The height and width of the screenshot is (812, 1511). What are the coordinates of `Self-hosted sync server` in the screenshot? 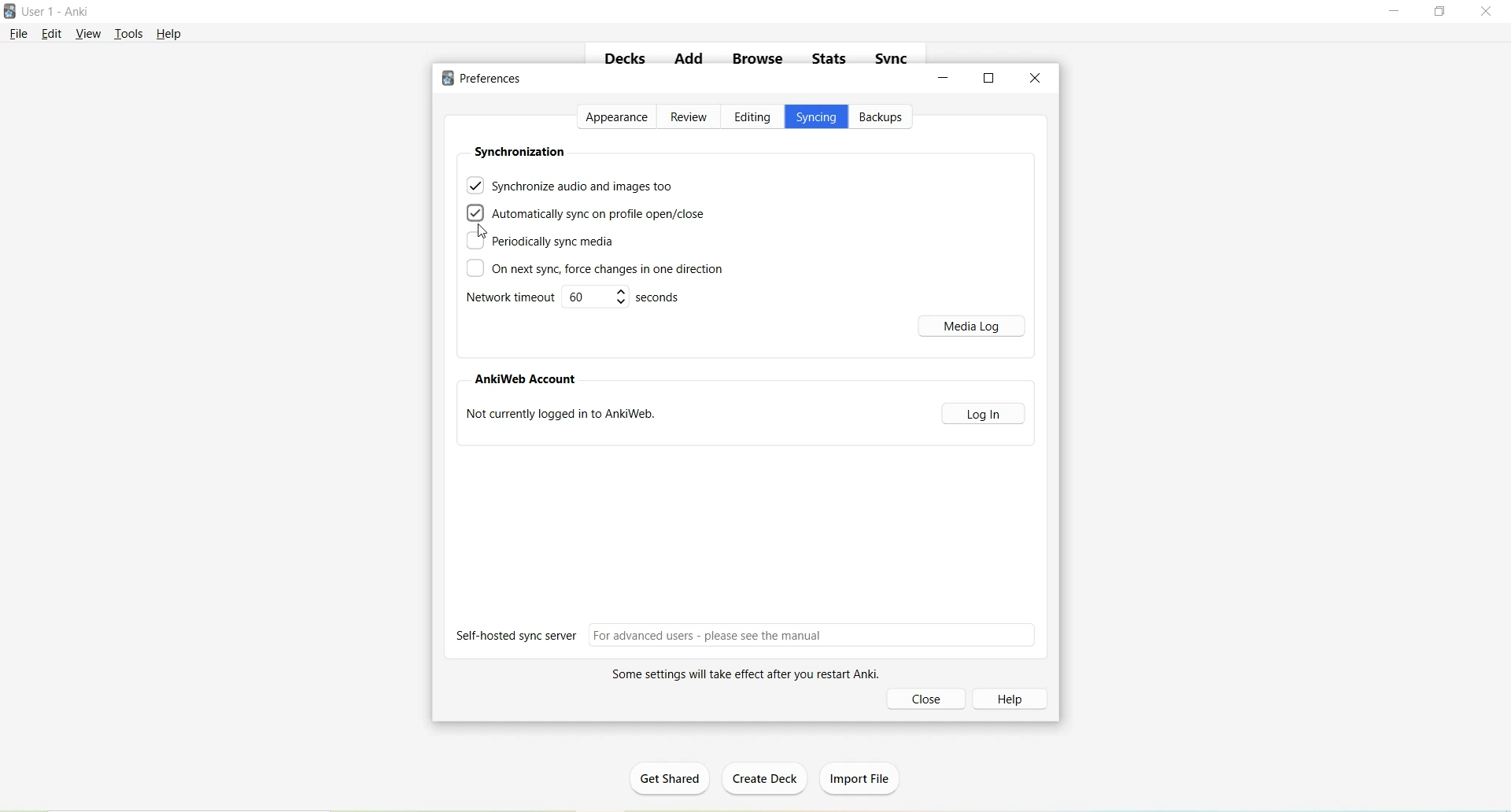 It's located at (748, 635).